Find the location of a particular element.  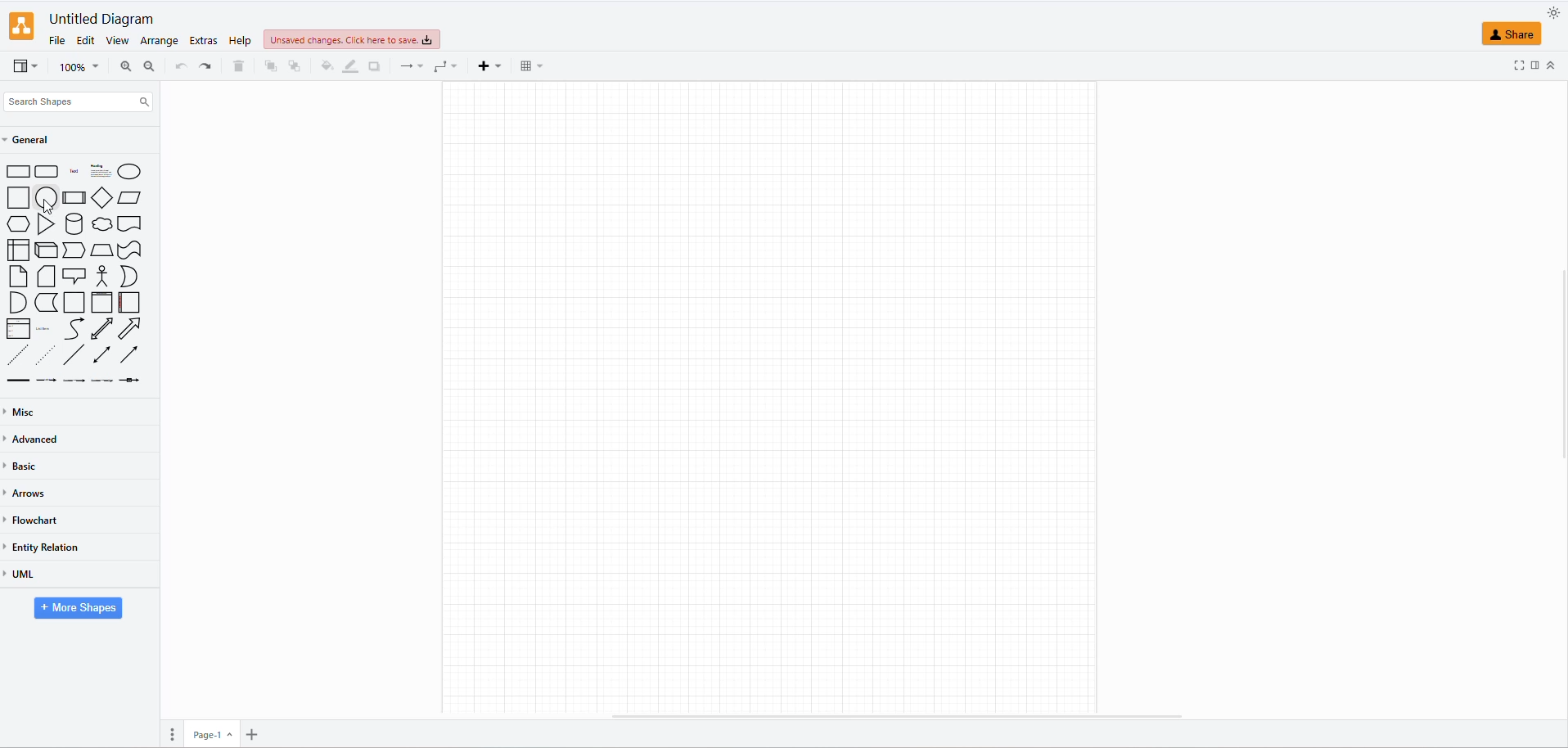

SHARE is located at coordinates (1513, 34).